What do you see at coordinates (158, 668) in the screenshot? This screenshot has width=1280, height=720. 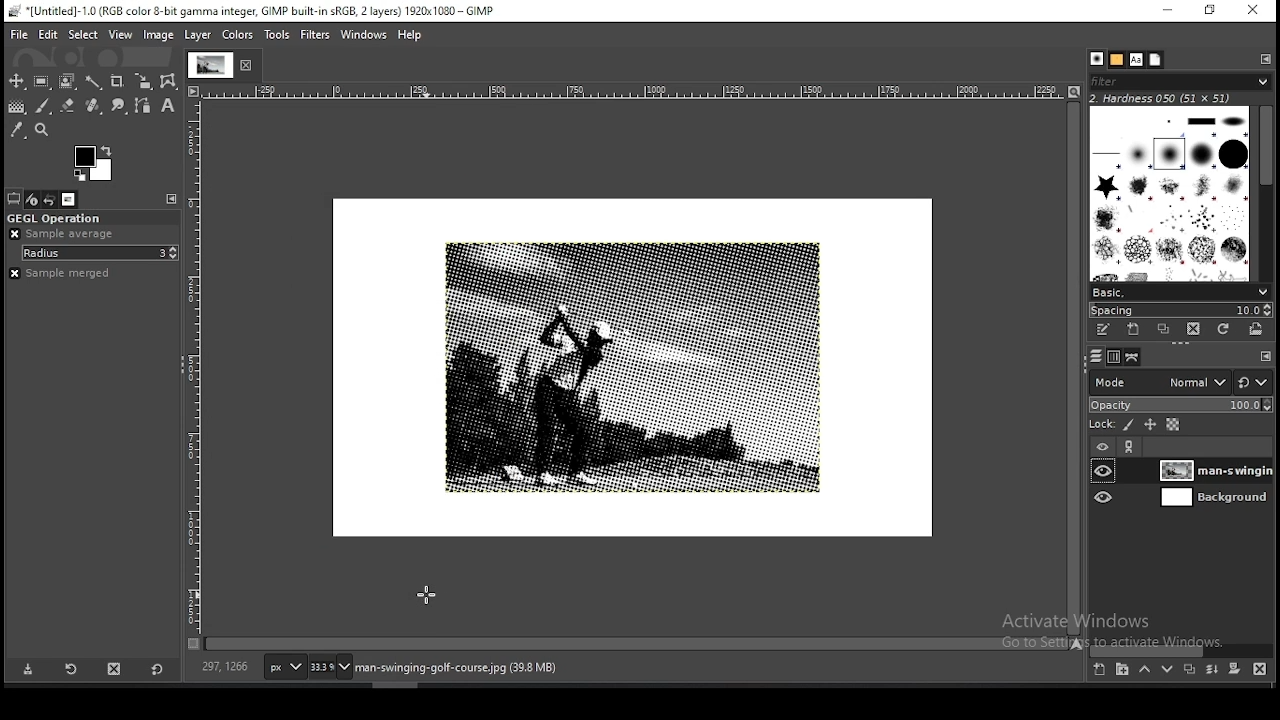 I see `reset` at bounding box center [158, 668].